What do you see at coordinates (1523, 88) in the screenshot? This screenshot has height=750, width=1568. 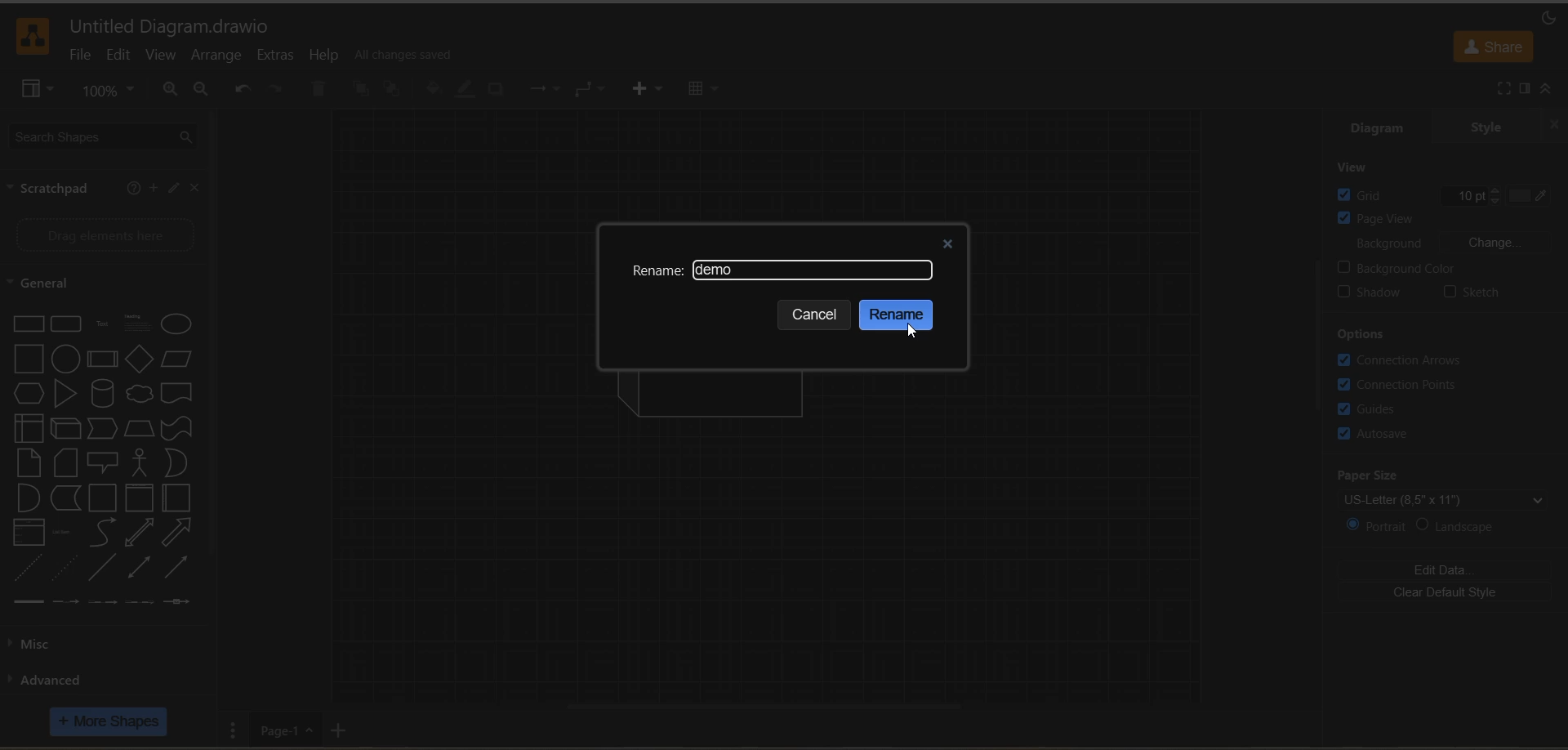 I see `format` at bounding box center [1523, 88].